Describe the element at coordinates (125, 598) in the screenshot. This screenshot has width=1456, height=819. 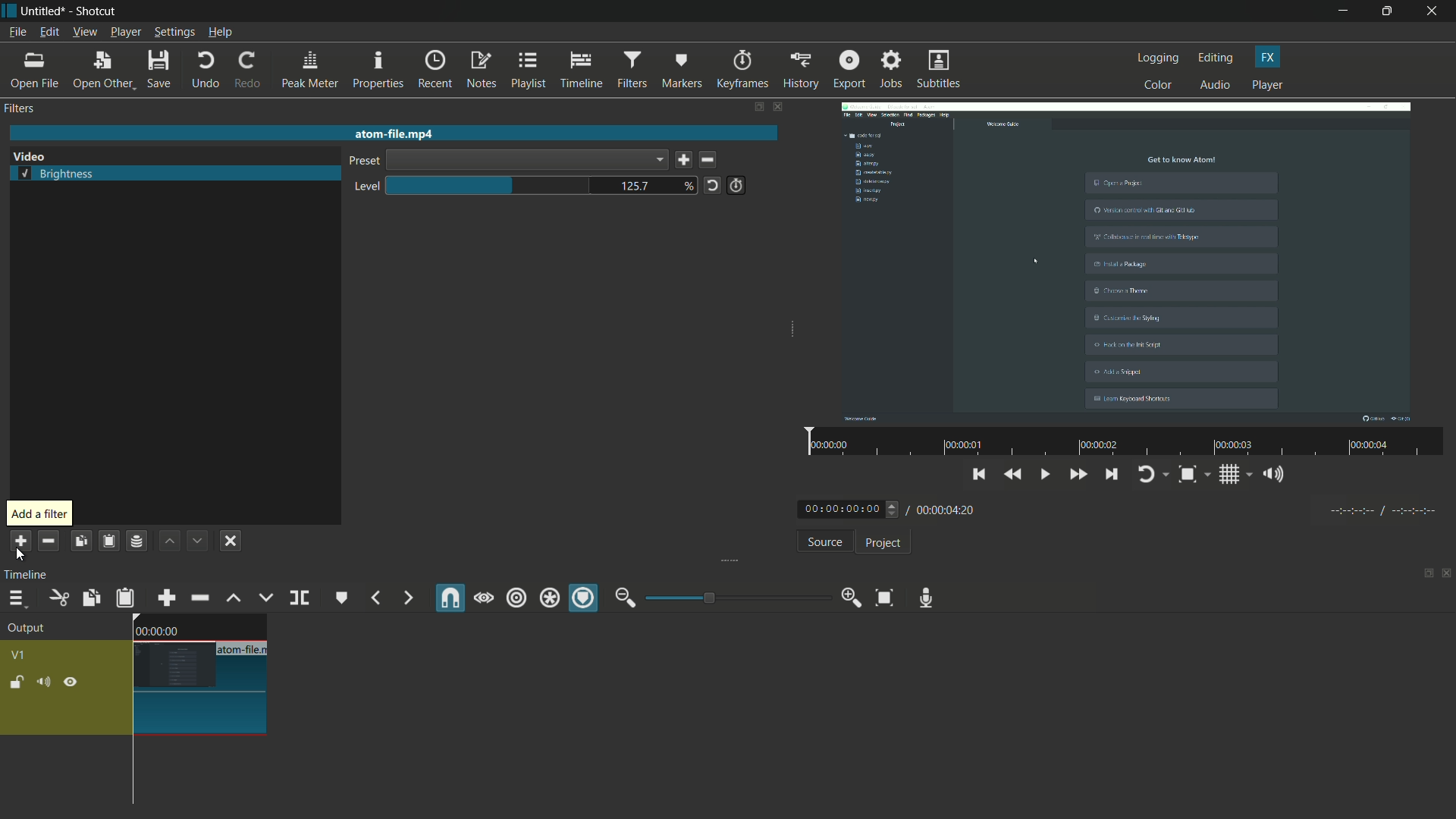
I see `paste` at that location.